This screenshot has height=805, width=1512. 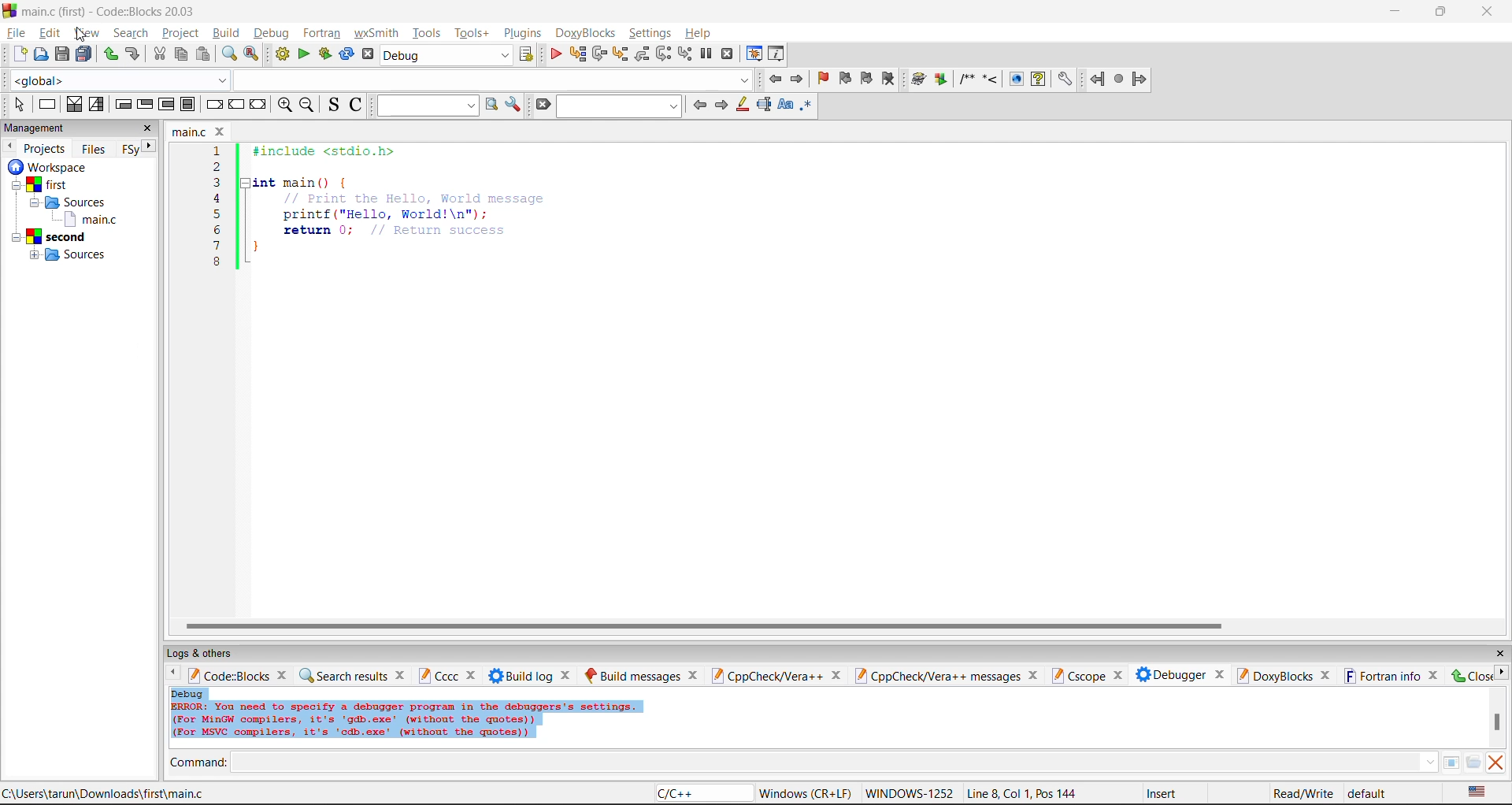 I want to click on find, so click(x=228, y=54).